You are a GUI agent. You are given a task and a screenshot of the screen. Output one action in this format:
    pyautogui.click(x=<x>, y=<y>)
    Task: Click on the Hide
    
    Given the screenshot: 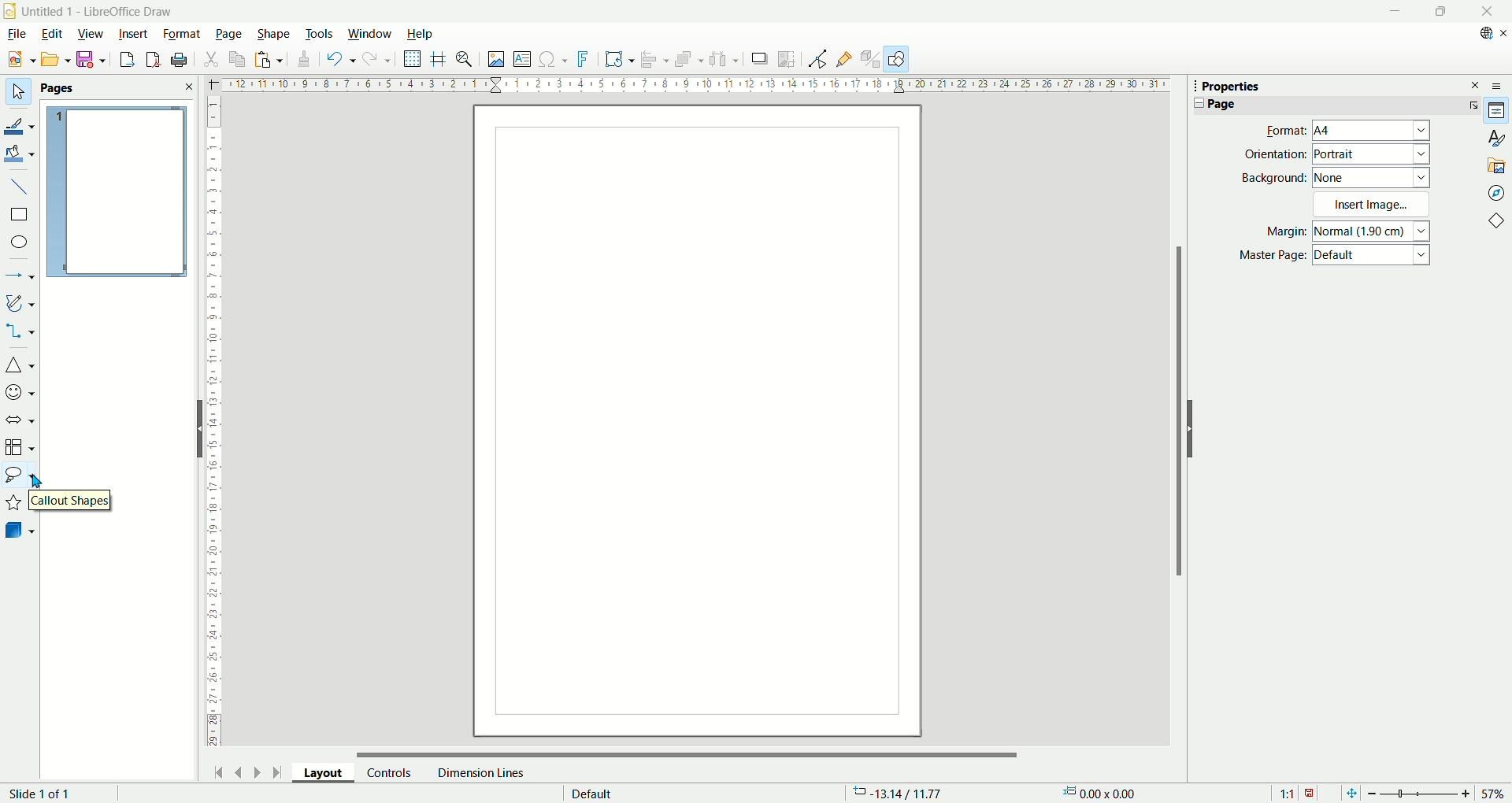 What is the action you would take?
    pyautogui.click(x=1194, y=428)
    